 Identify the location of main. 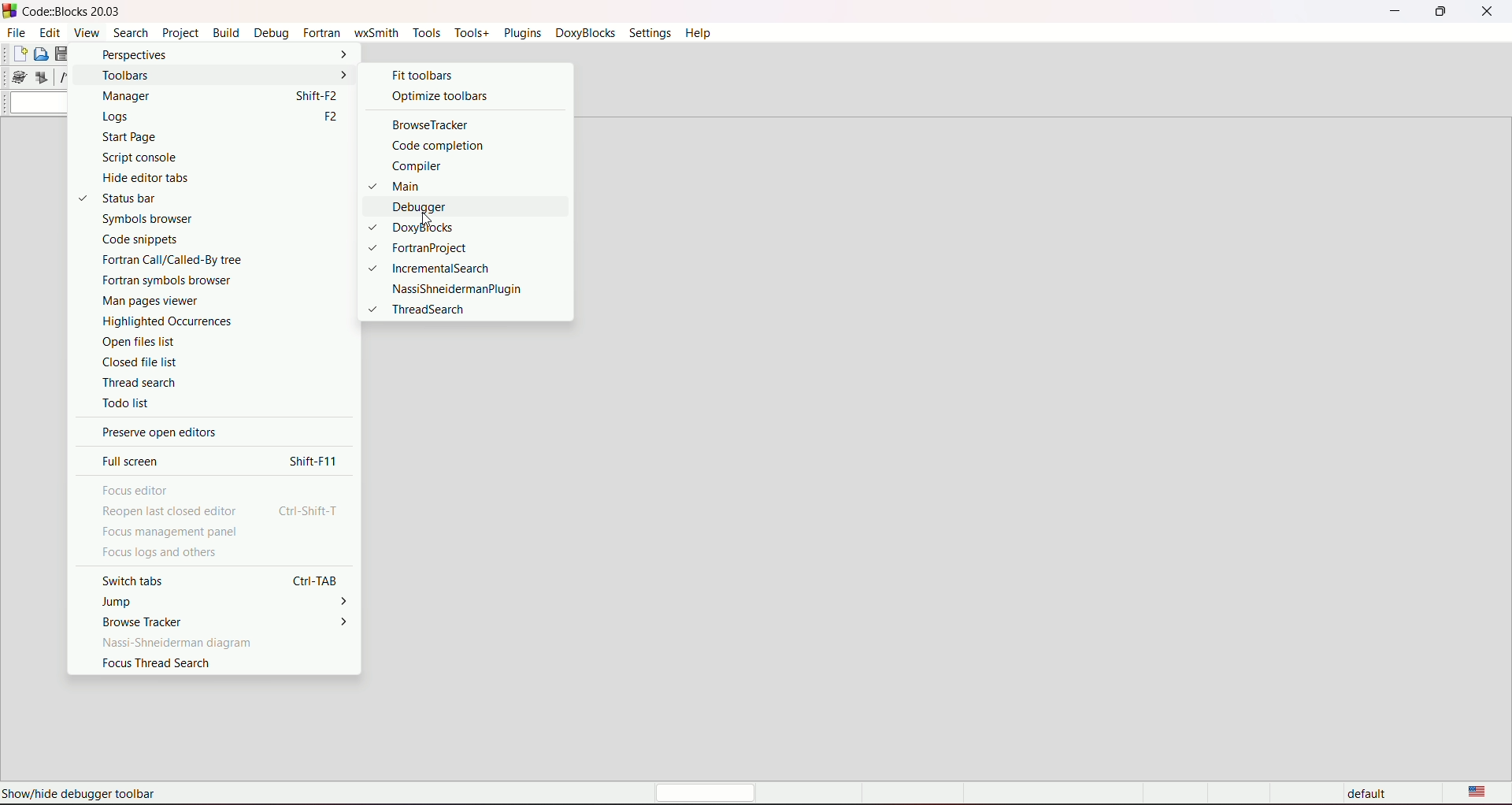
(431, 185).